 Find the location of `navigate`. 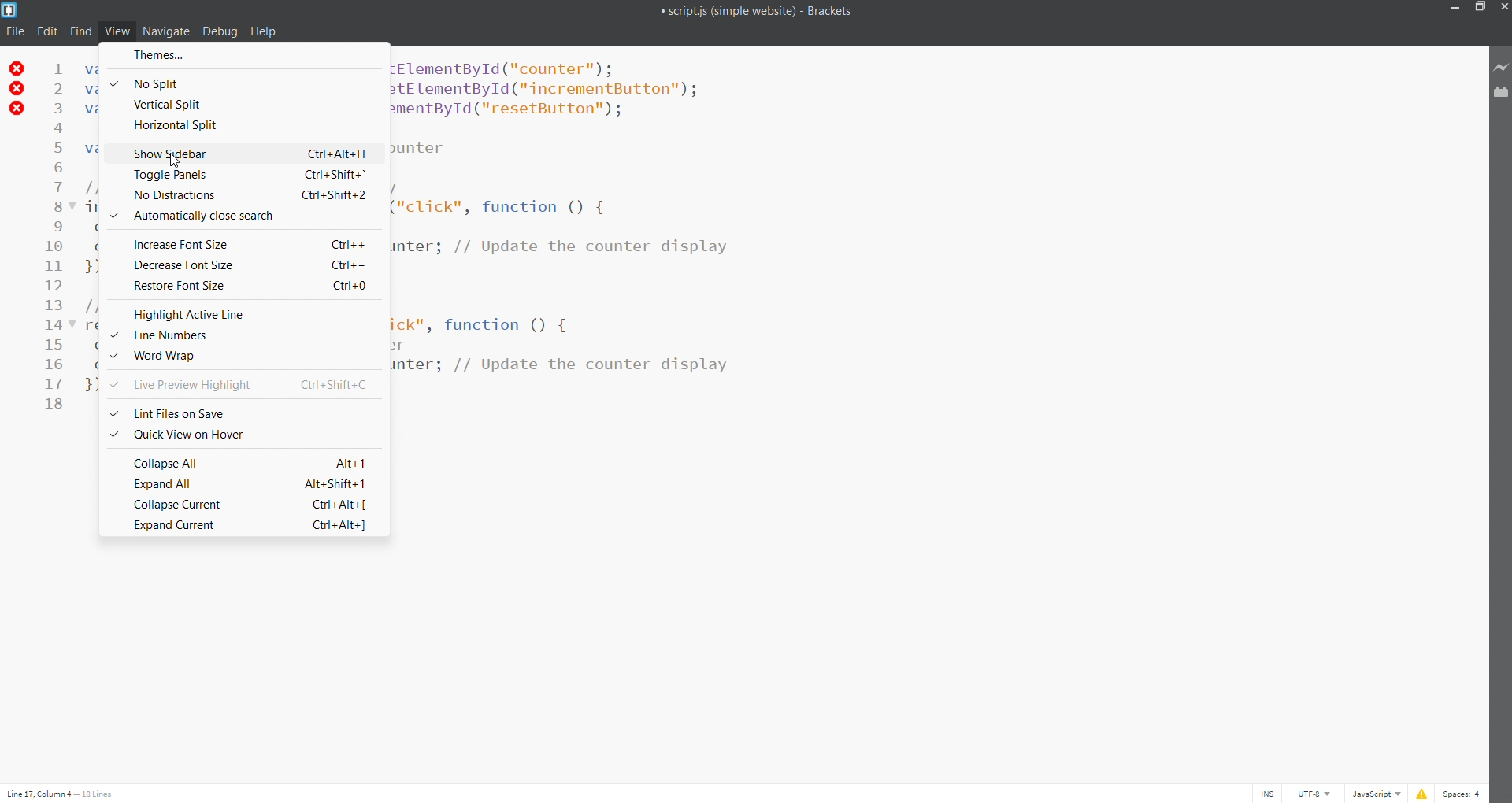

navigate is located at coordinates (167, 31).